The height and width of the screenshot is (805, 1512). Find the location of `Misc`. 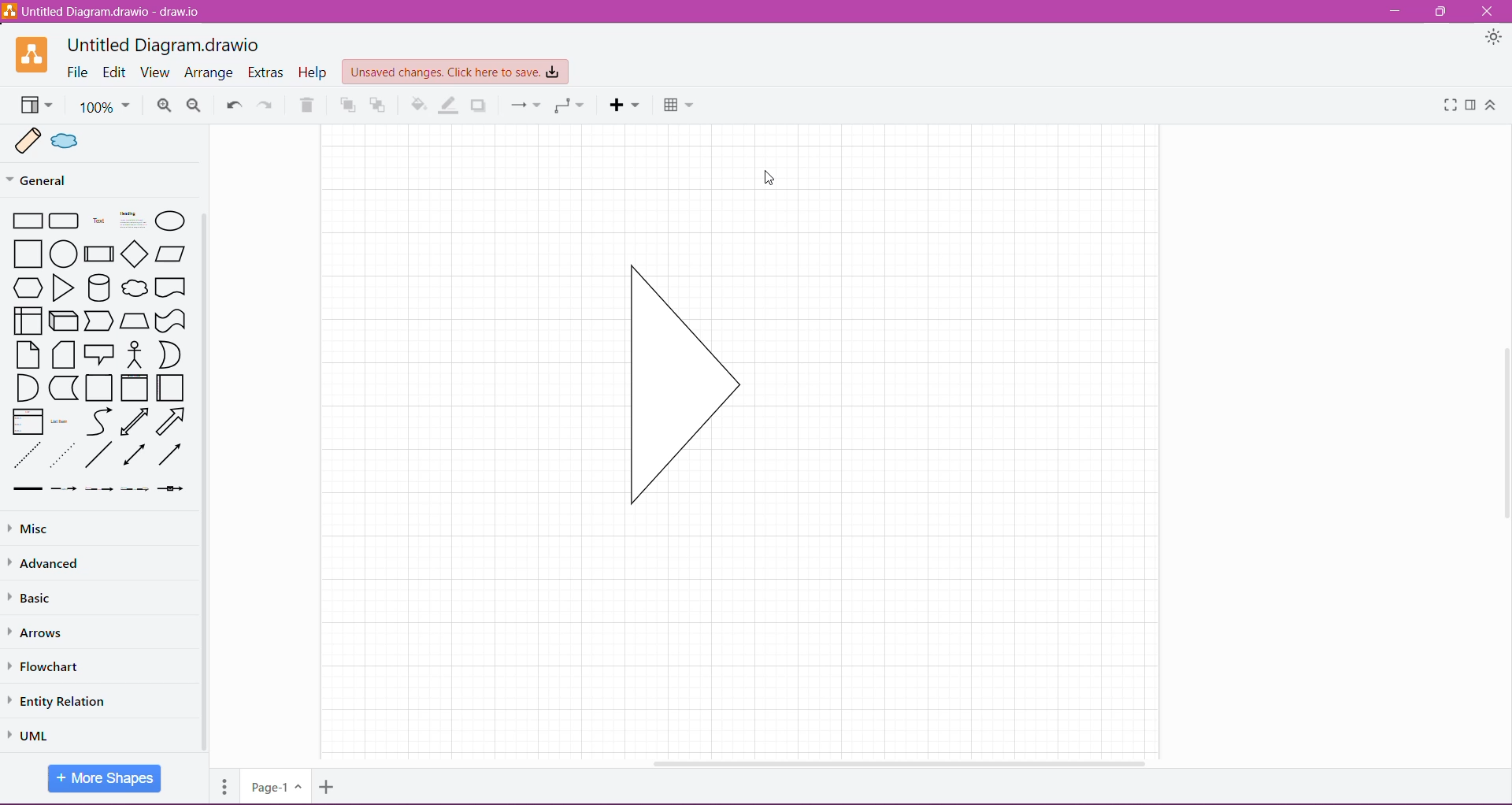

Misc is located at coordinates (71, 529).